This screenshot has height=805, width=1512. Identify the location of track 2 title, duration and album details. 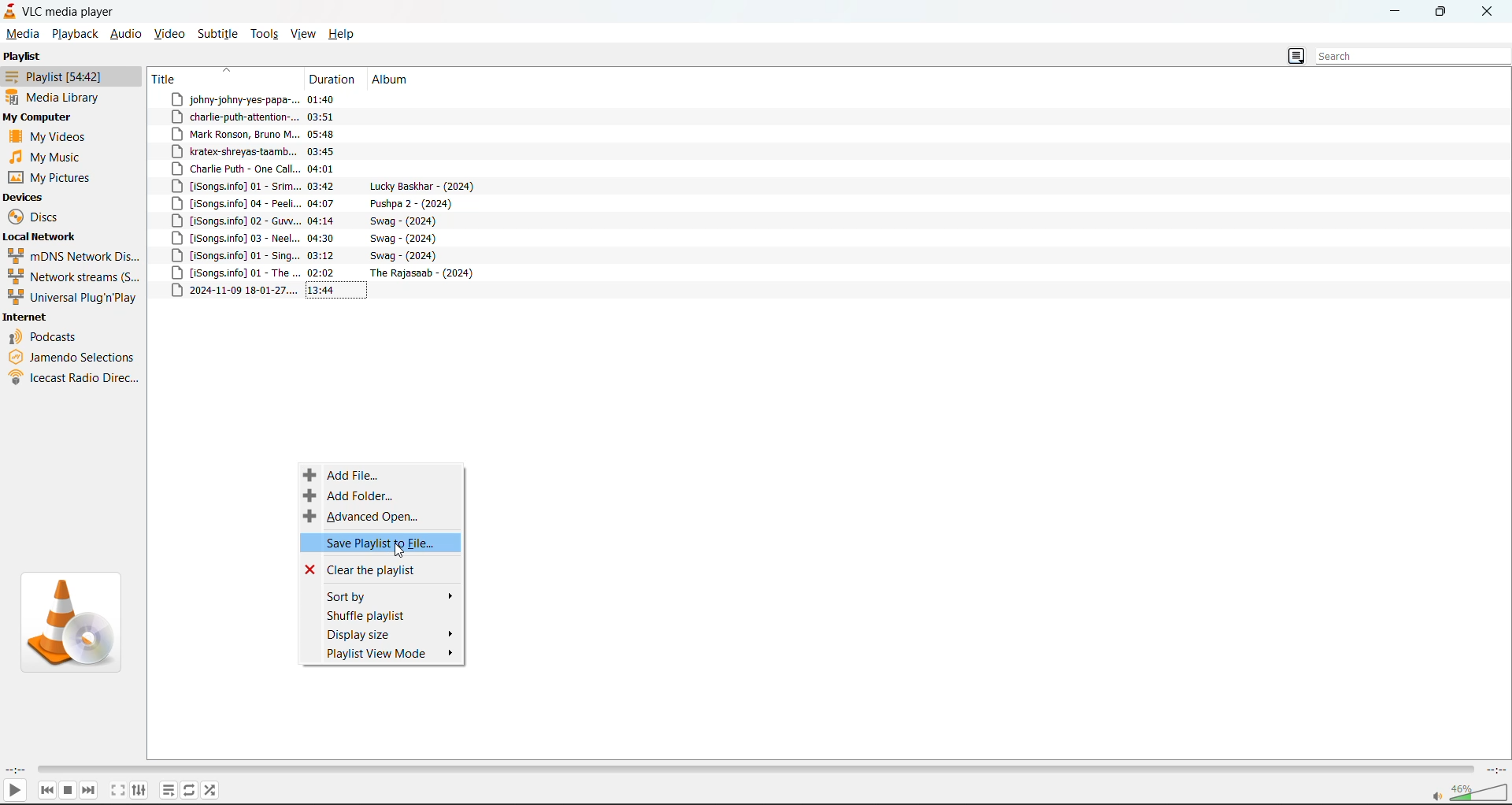
(291, 115).